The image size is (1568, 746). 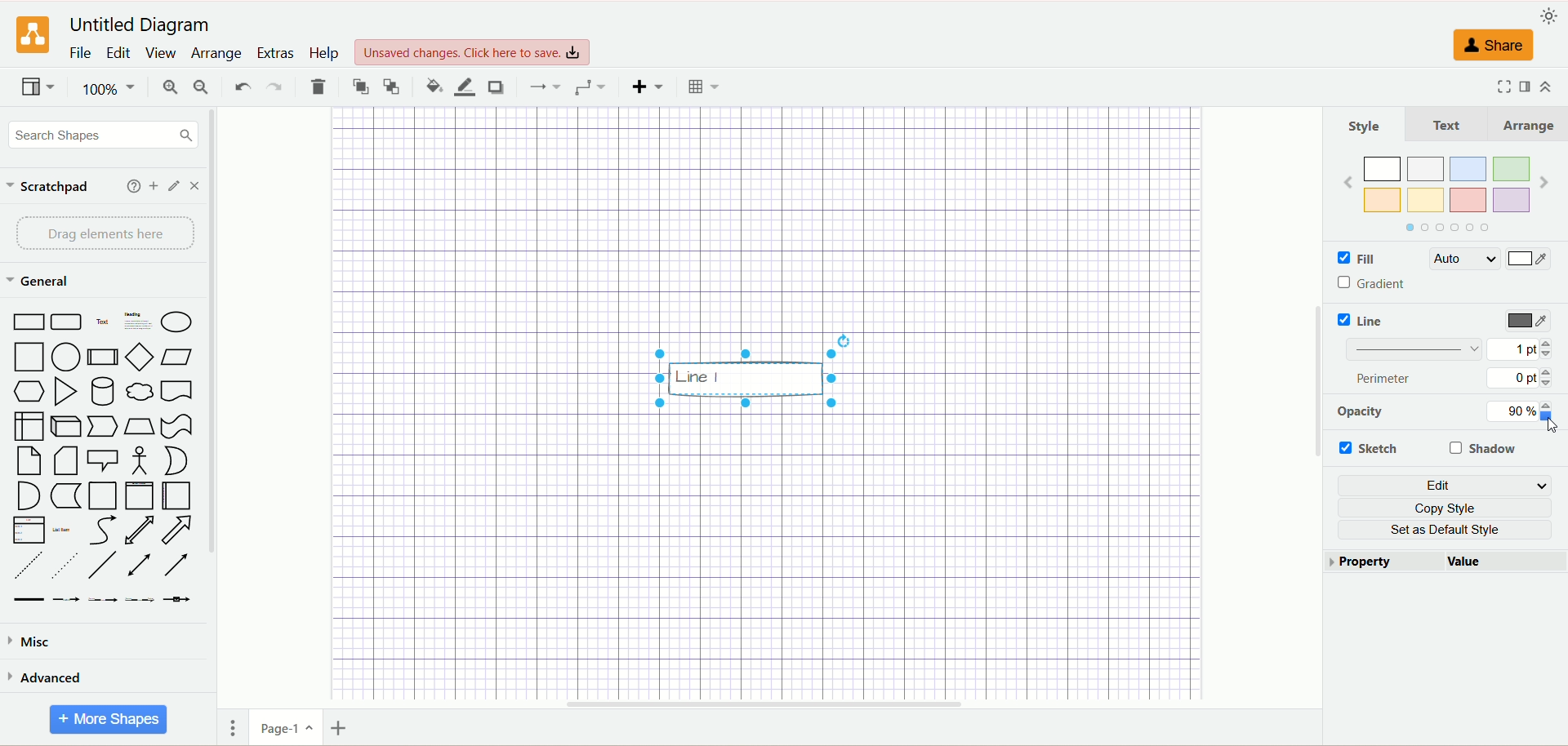 What do you see at coordinates (700, 85) in the screenshot?
I see `table` at bounding box center [700, 85].